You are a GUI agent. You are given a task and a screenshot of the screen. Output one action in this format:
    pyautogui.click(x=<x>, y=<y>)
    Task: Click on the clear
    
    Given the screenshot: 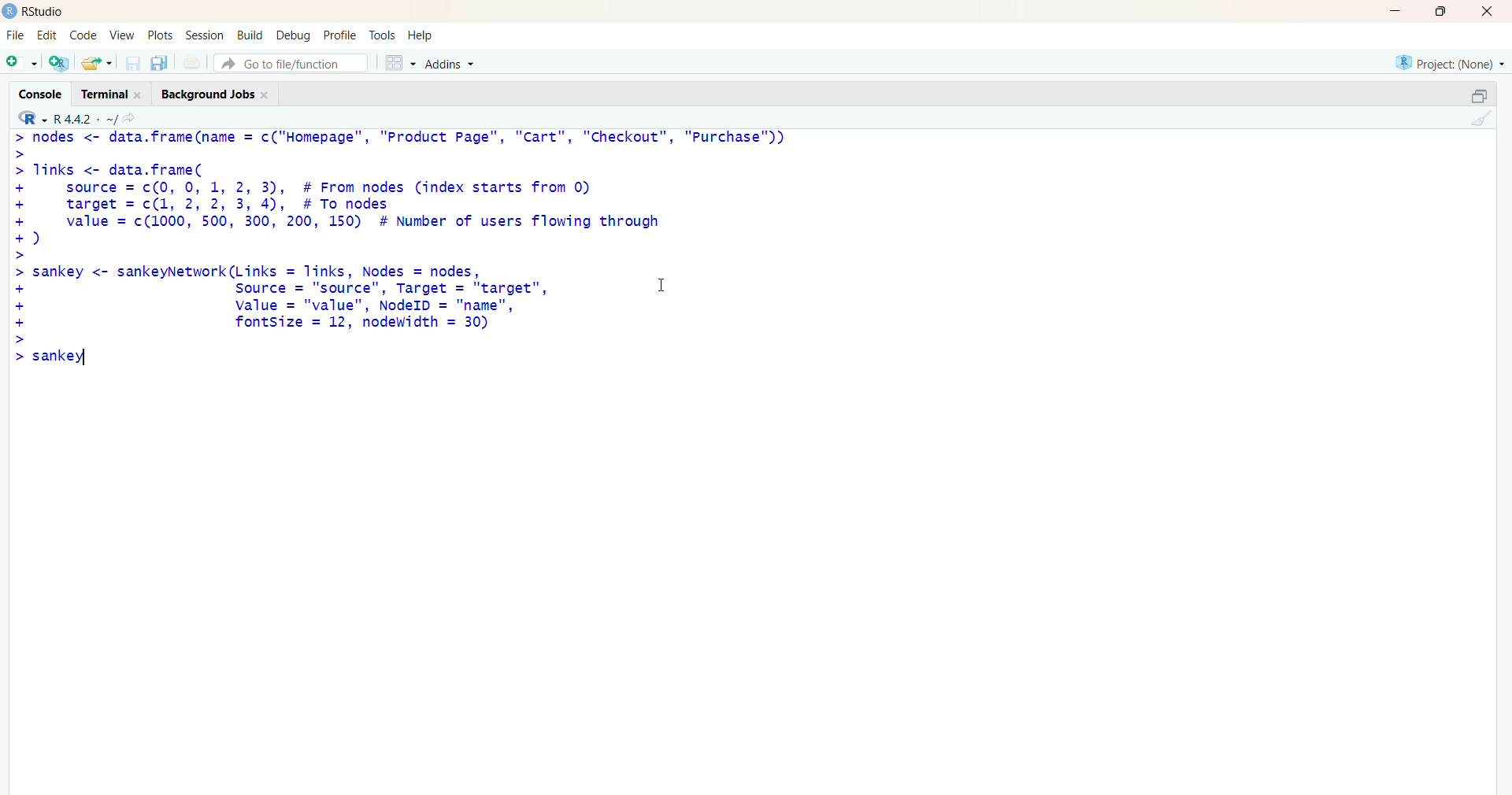 What is the action you would take?
    pyautogui.click(x=1486, y=121)
    